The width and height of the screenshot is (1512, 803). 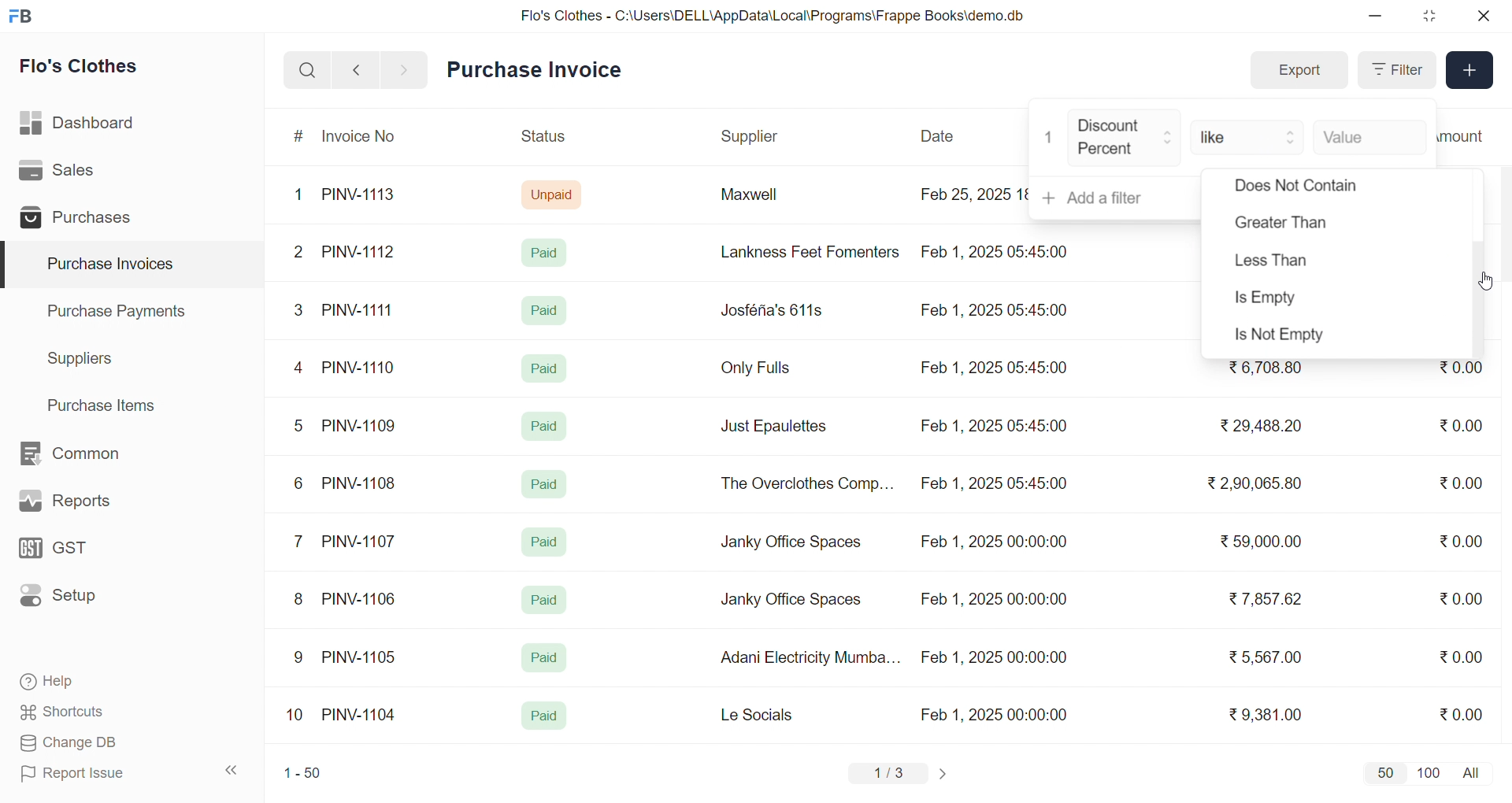 What do you see at coordinates (545, 484) in the screenshot?
I see `Paid` at bounding box center [545, 484].